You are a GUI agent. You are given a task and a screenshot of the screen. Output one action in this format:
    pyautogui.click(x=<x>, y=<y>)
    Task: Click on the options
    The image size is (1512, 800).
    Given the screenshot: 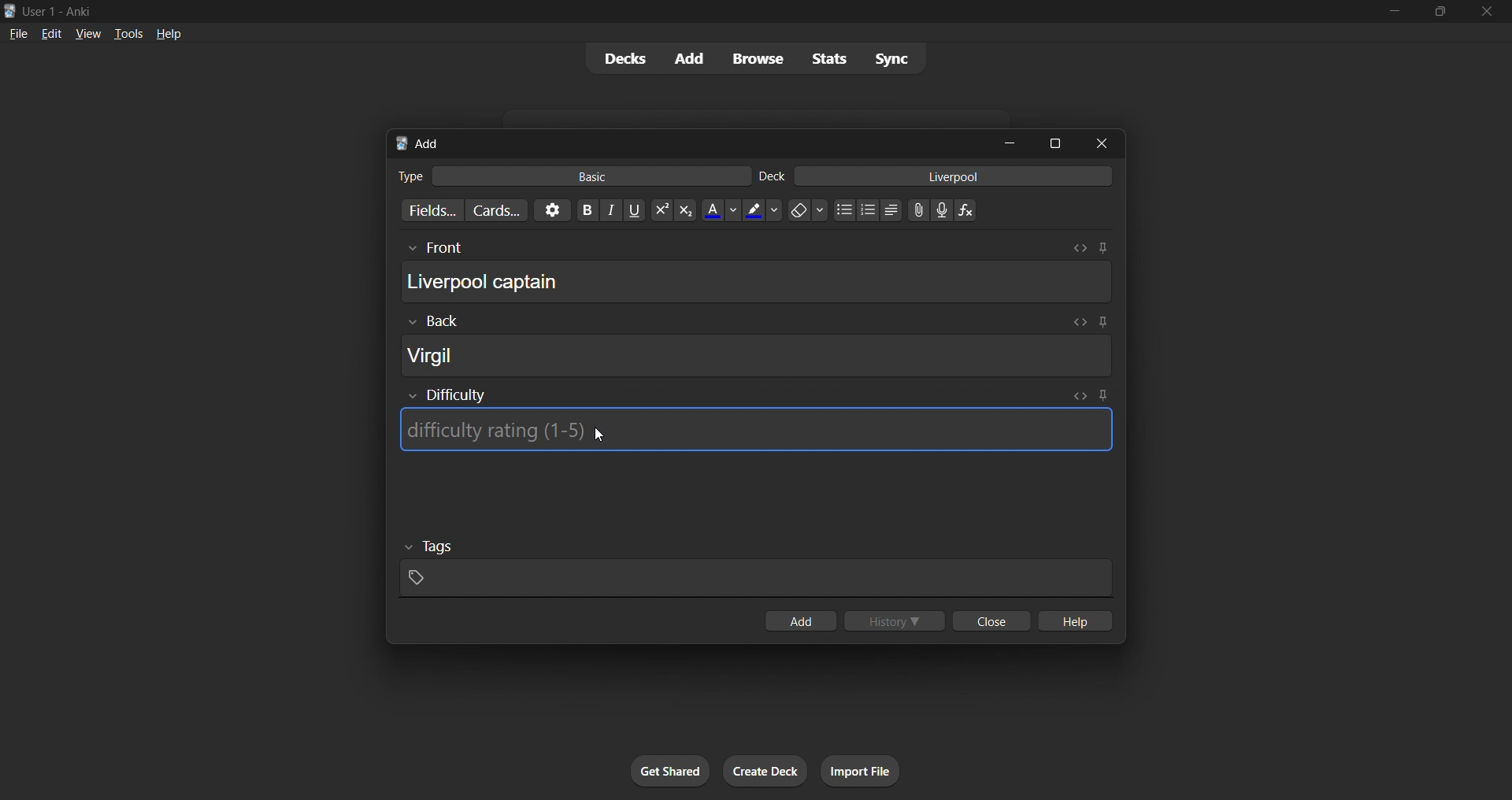 What is the action you would take?
    pyautogui.click(x=552, y=210)
    